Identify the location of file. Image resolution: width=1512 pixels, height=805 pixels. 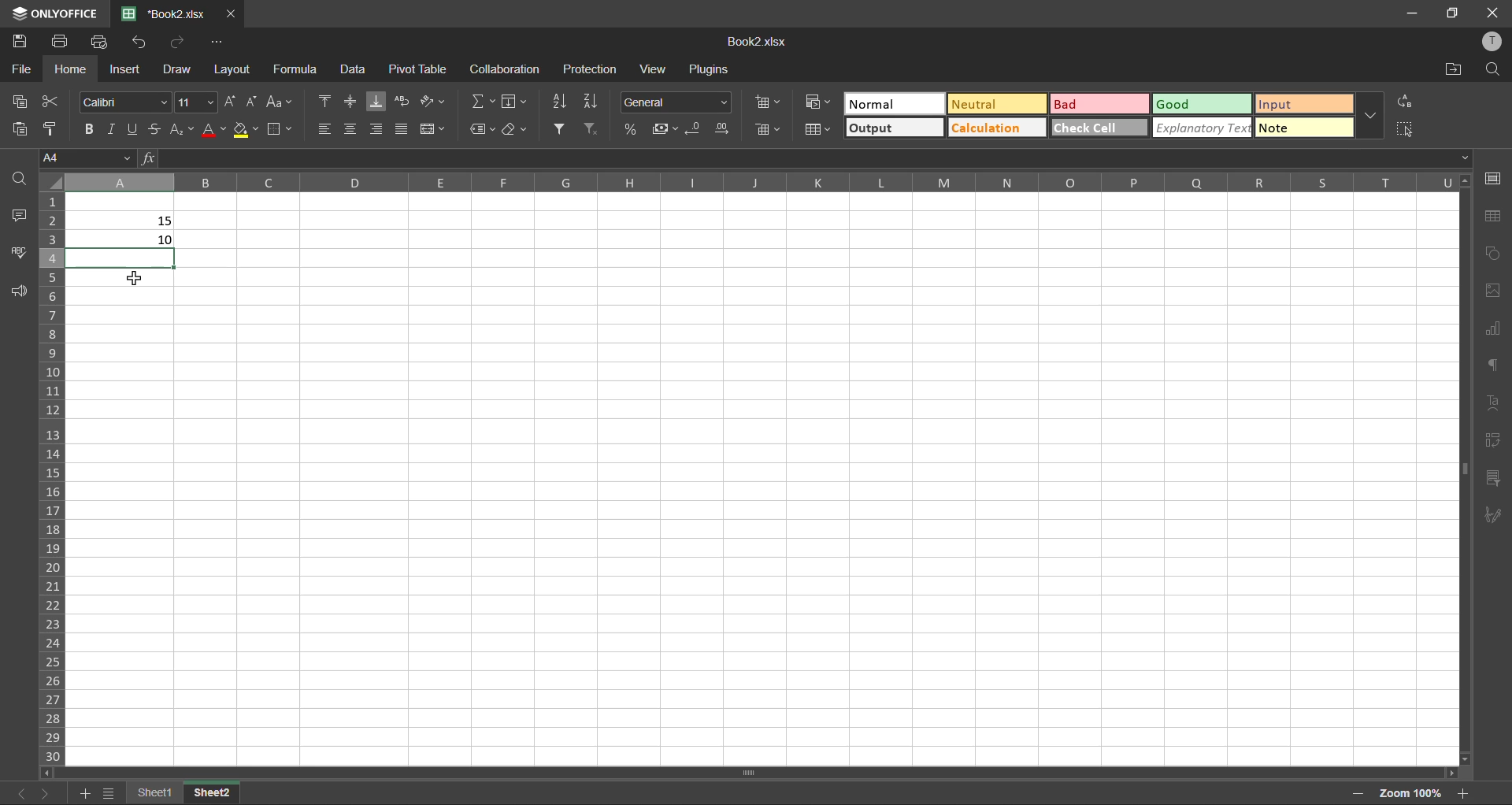
(20, 69).